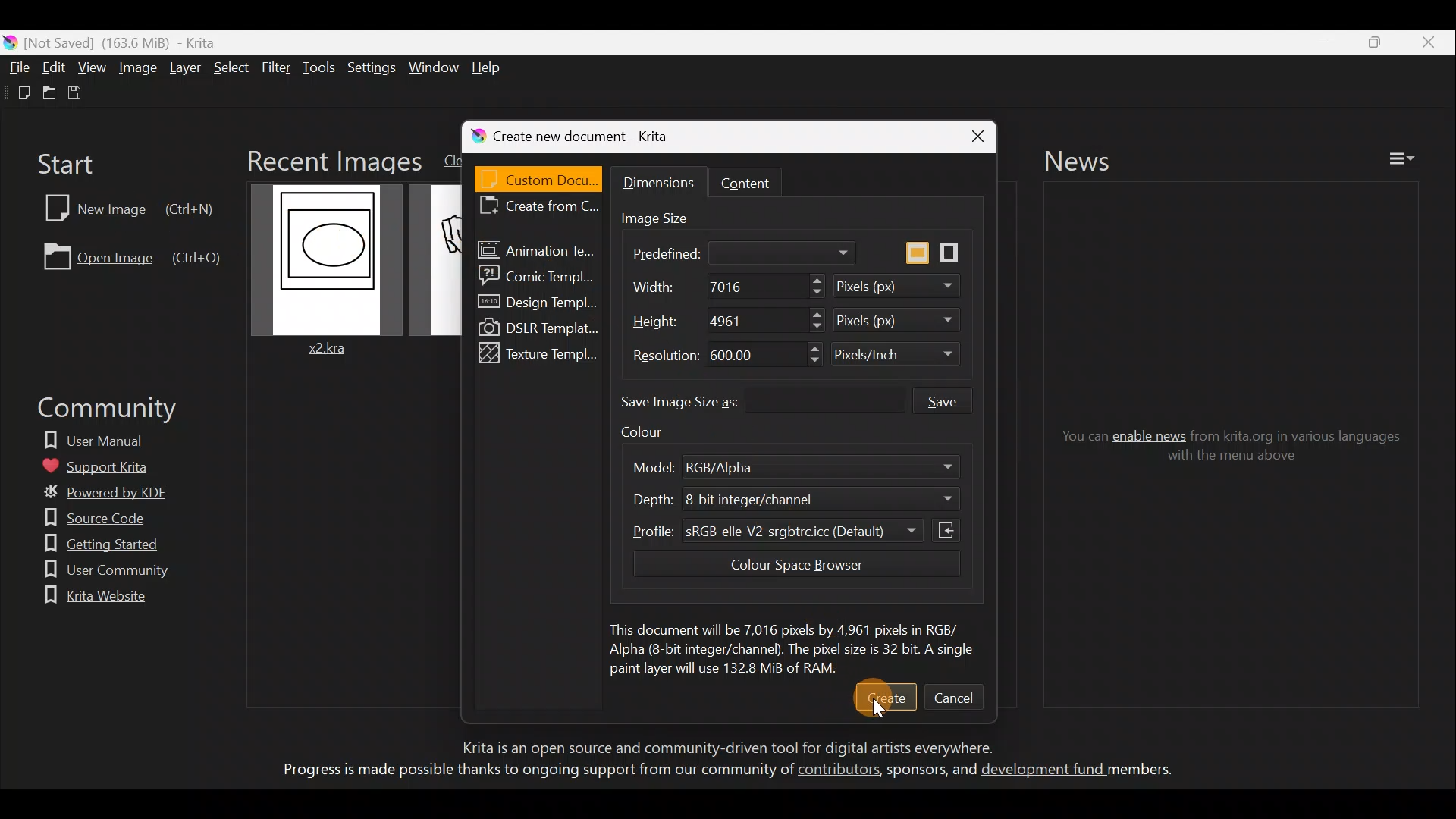  Describe the element at coordinates (1407, 159) in the screenshot. I see `News options` at that location.